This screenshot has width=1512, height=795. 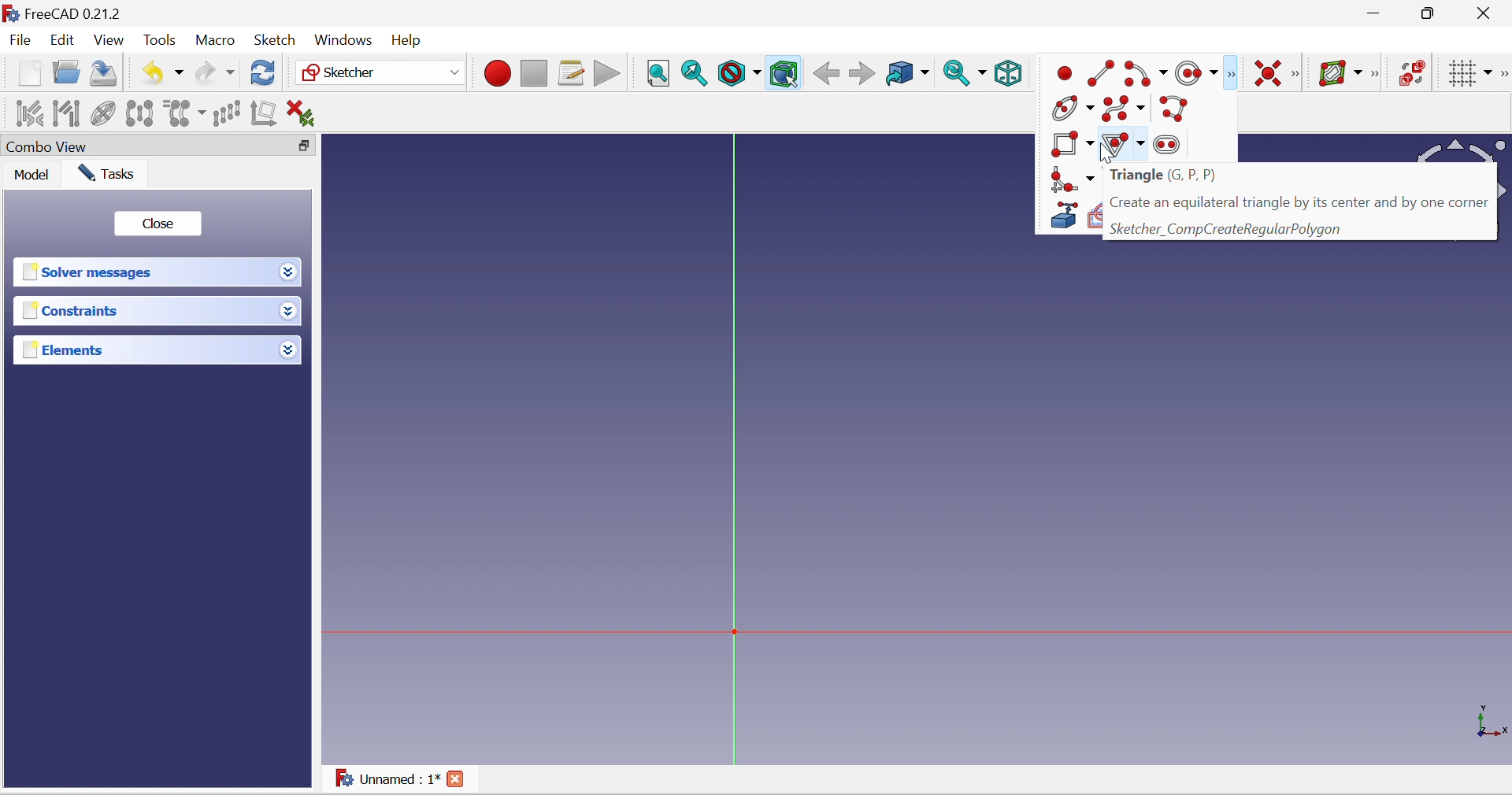 I want to click on Model, so click(x=28, y=175).